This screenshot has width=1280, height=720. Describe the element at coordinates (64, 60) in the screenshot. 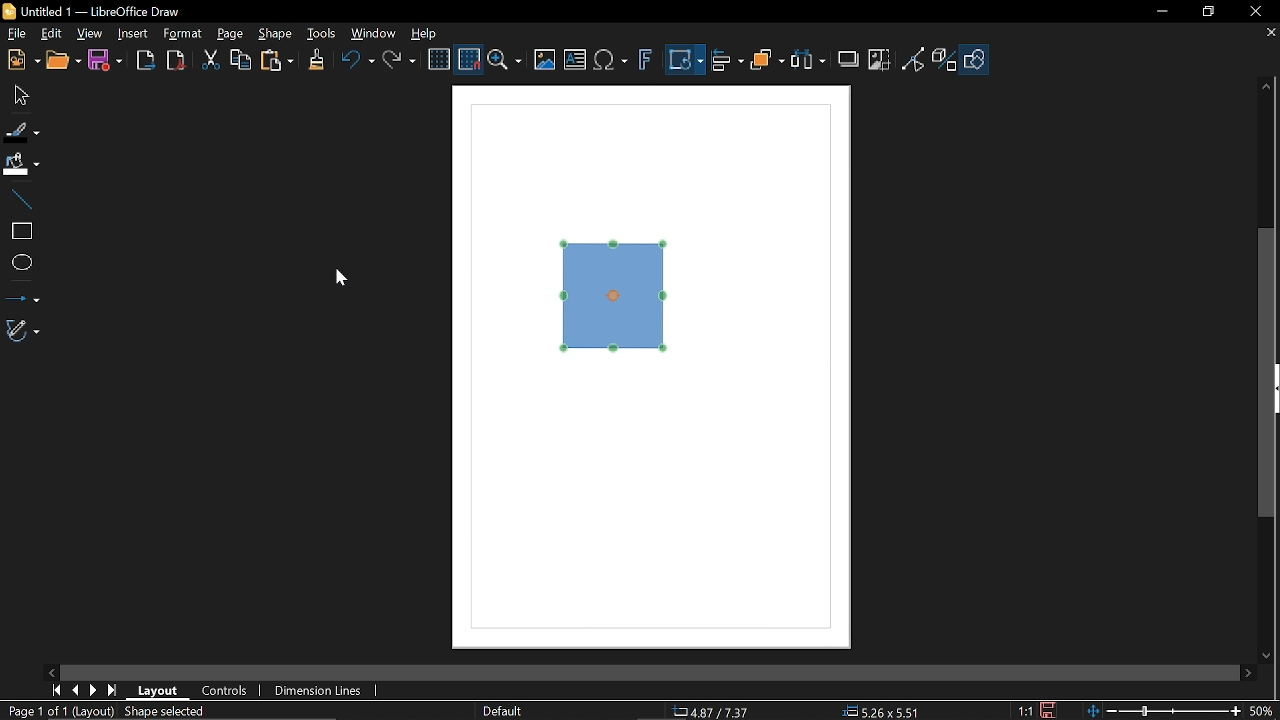

I see `Open` at that location.